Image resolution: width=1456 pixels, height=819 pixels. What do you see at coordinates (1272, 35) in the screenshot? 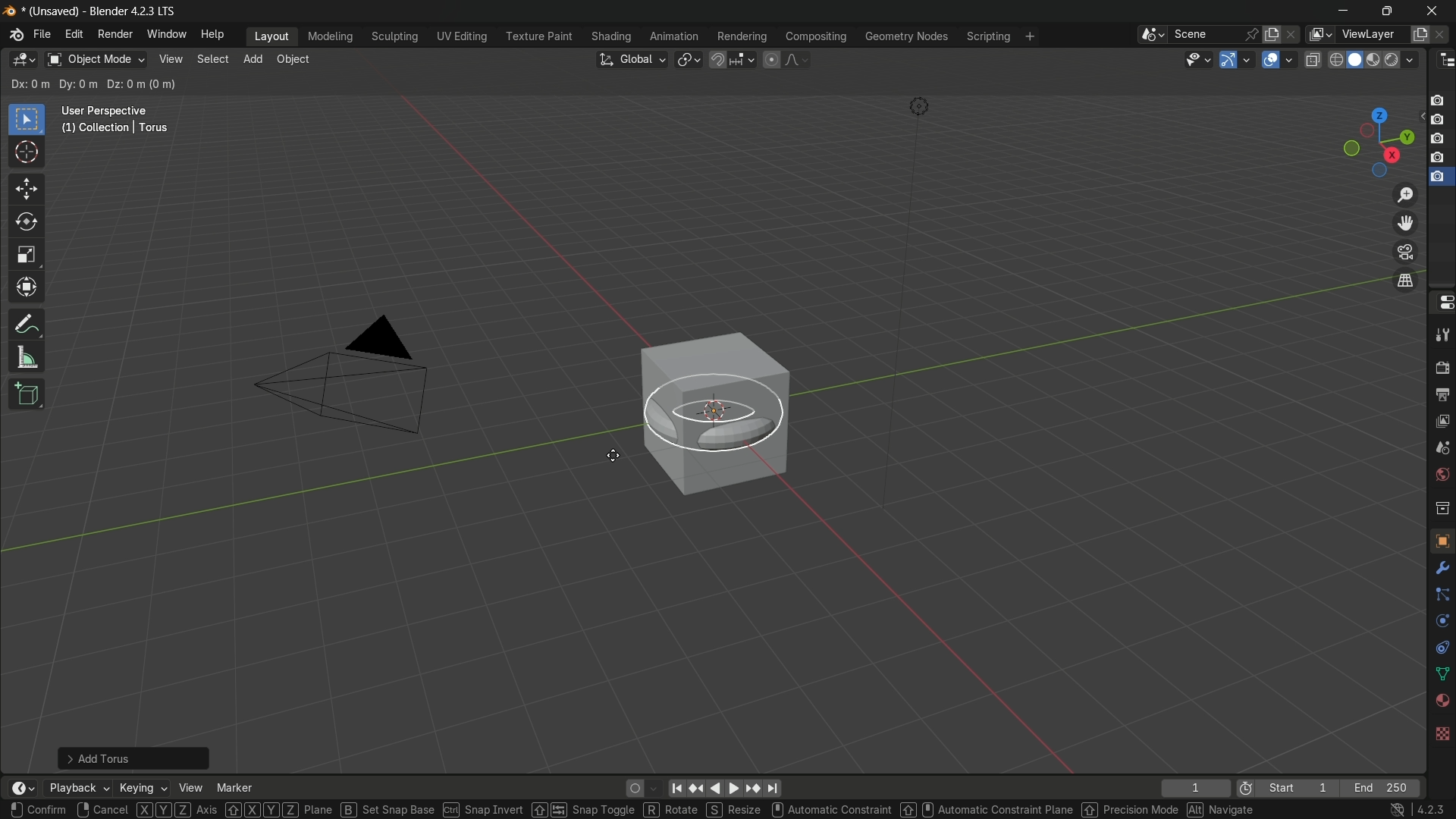
I see `add scene` at bounding box center [1272, 35].